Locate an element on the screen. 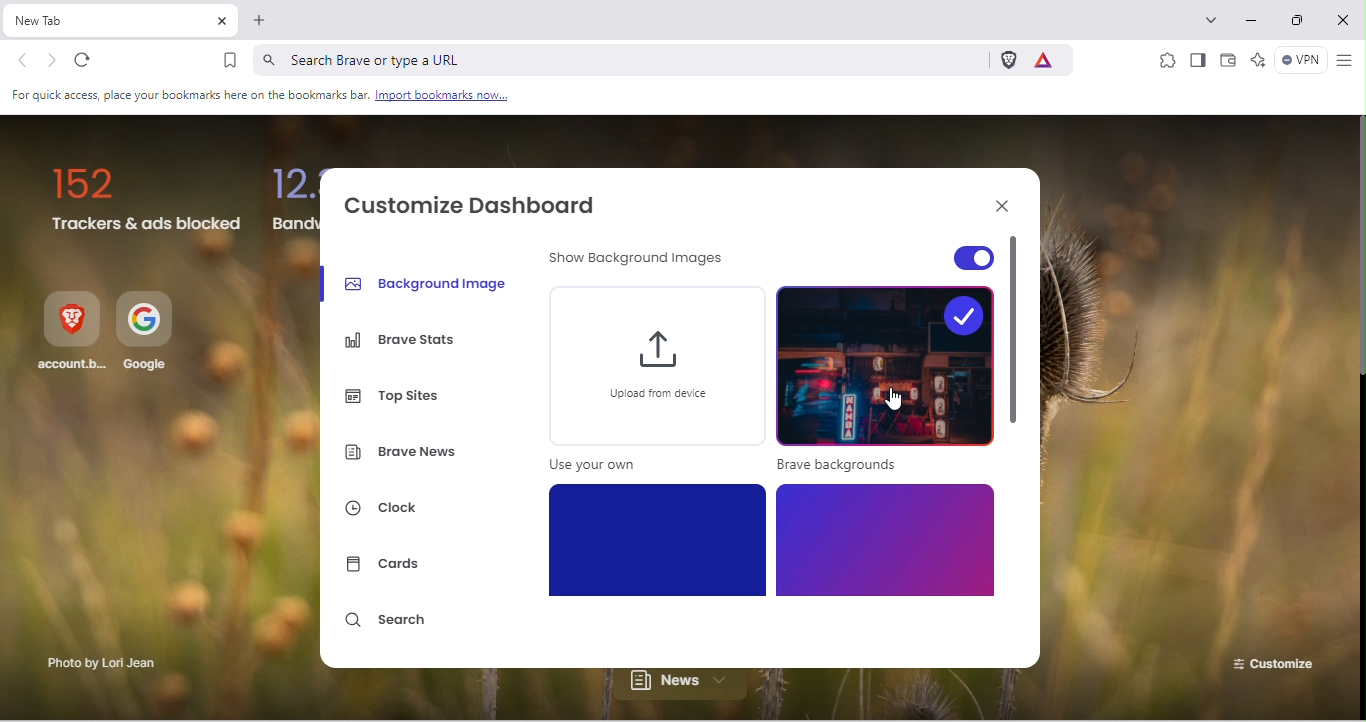 This screenshot has height=722, width=1366. Google is located at coordinates (149, 334).